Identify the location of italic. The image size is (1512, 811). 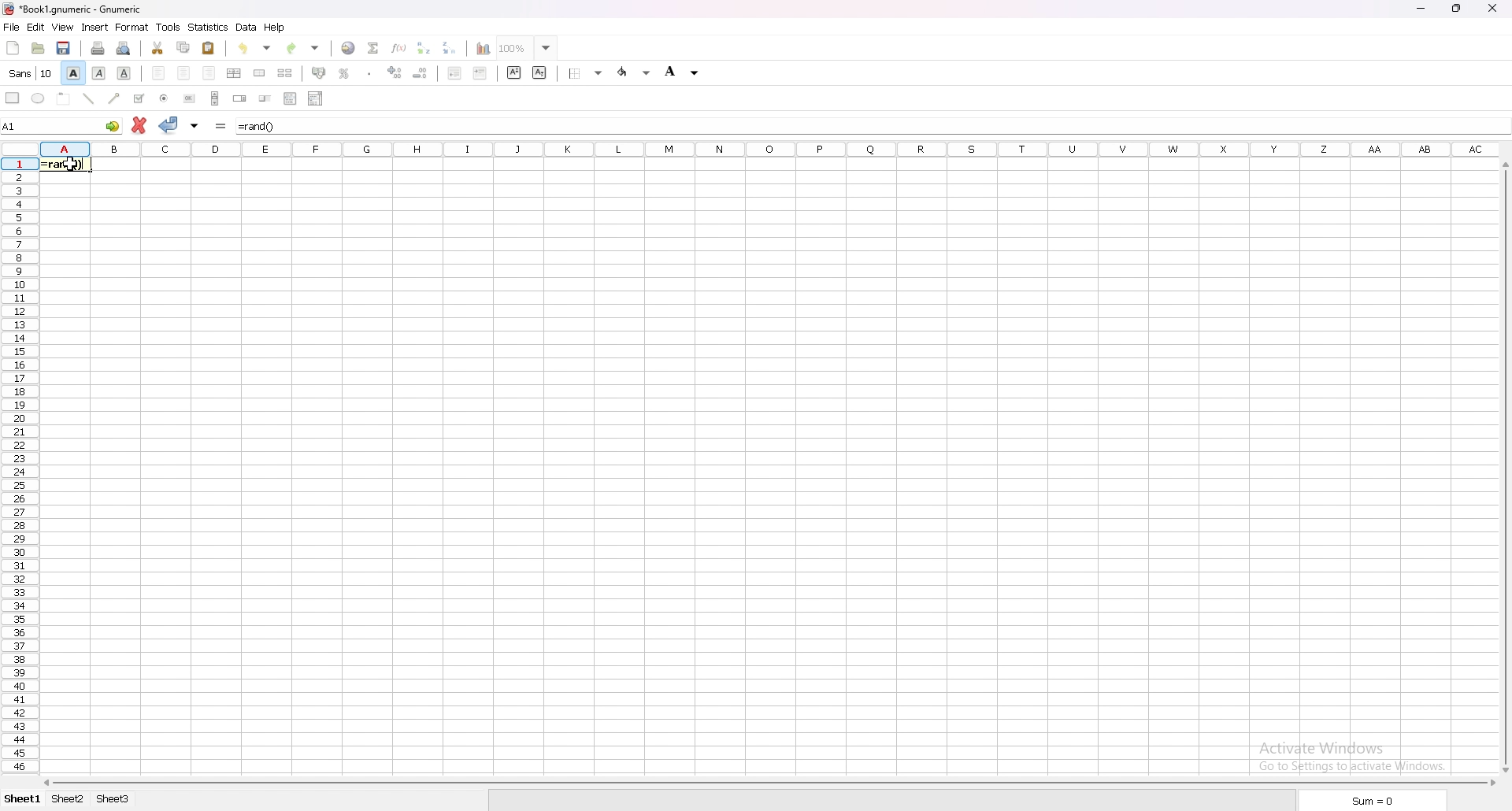
(98, 73).